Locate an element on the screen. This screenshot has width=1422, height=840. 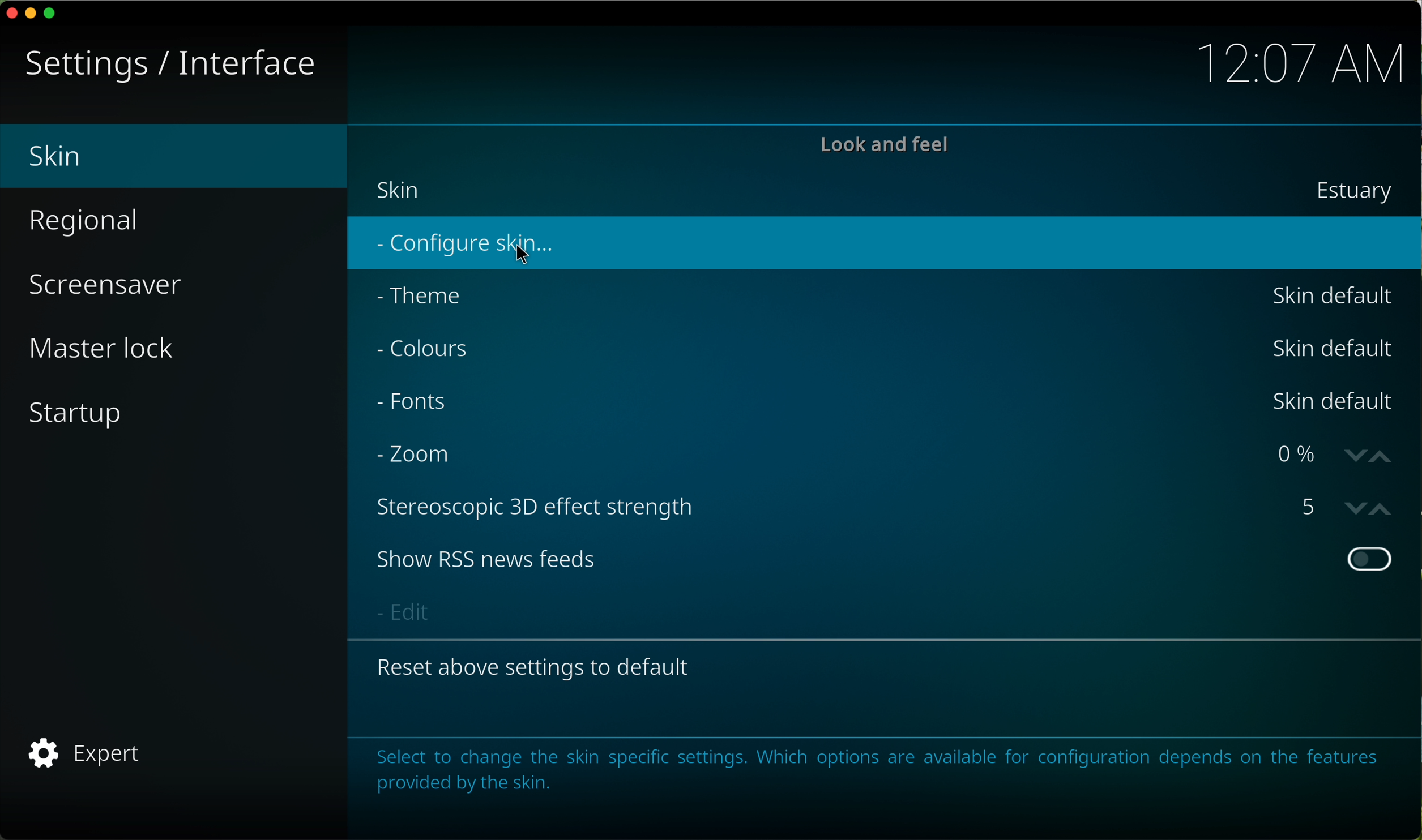
fonts is located at coordinates (885, 402).